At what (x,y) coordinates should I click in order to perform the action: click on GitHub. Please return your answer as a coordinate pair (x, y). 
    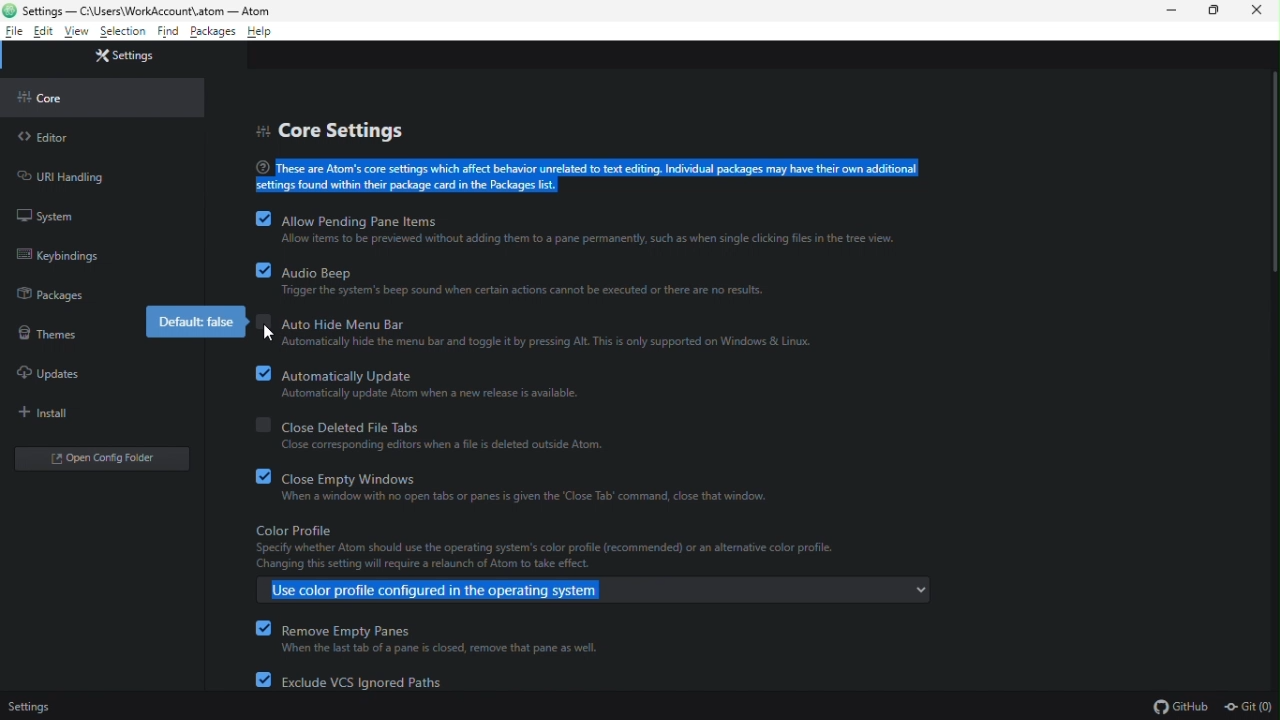
    Looking at the image, I should click on (1183, 704).